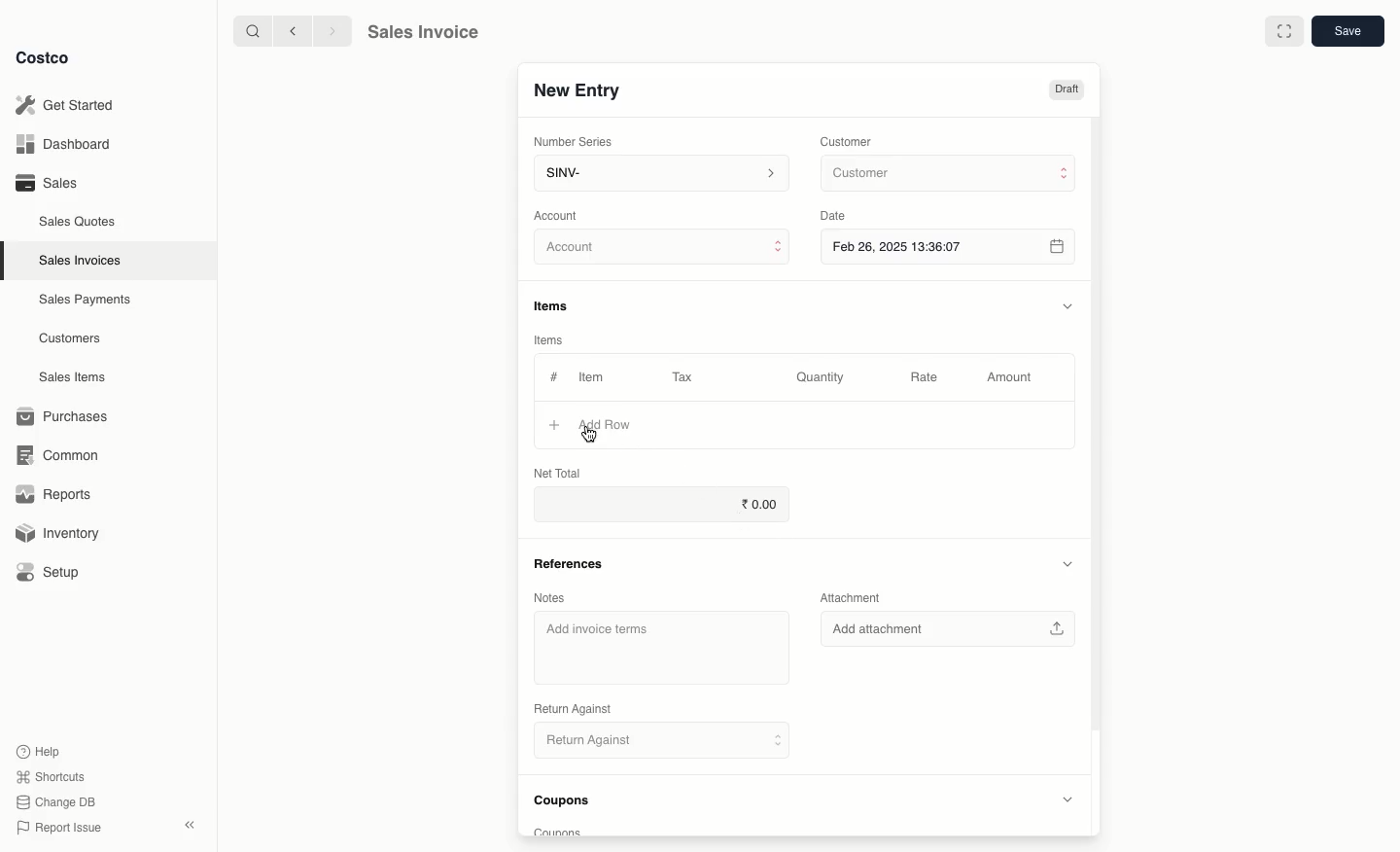  What do you see at coordinates (560, 215) in the screenshot?
I see `‘Account` at bounding box center [560, 215].